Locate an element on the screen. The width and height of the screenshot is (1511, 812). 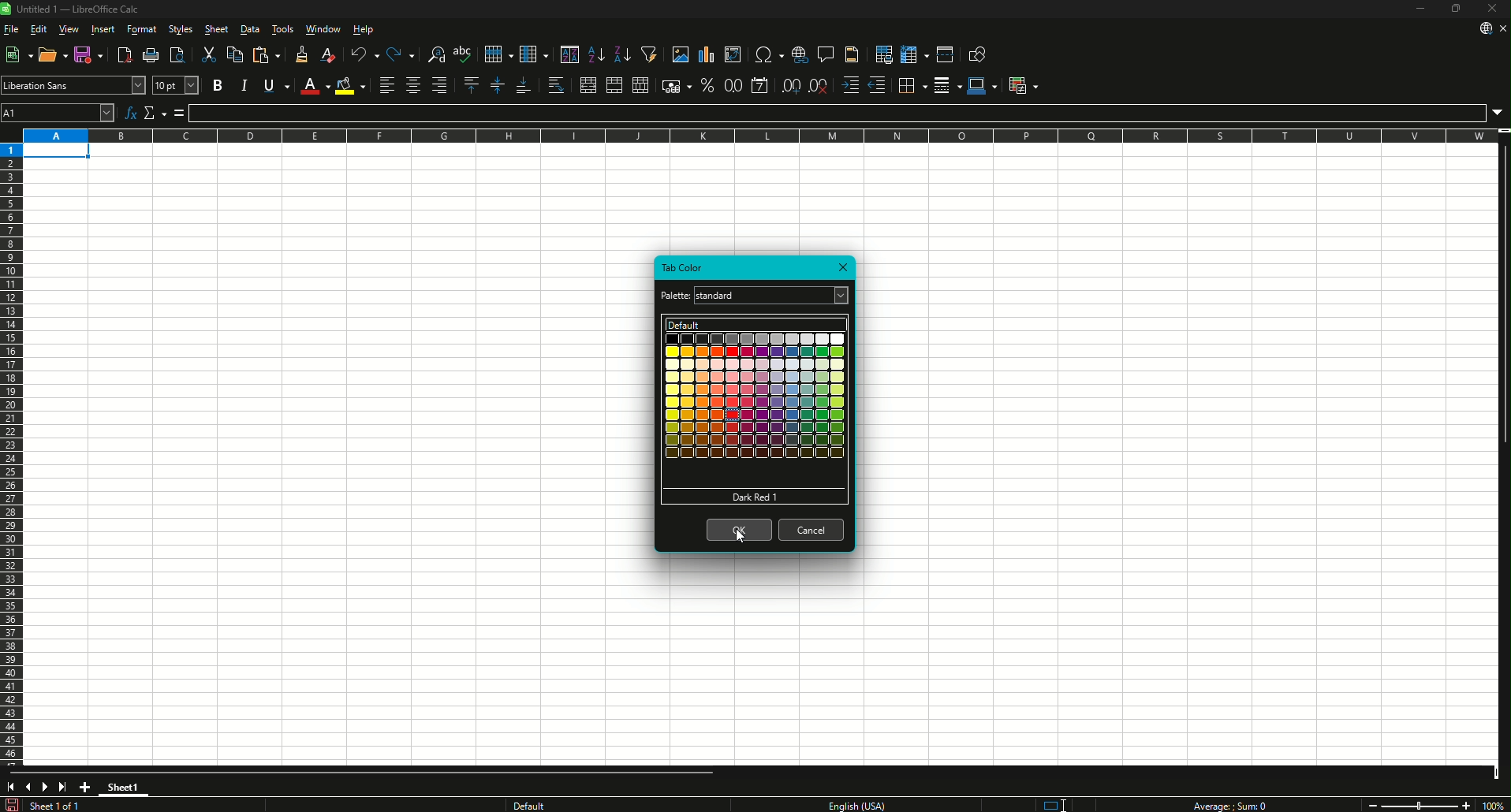
Align Top is located at coordinates (472, 85).